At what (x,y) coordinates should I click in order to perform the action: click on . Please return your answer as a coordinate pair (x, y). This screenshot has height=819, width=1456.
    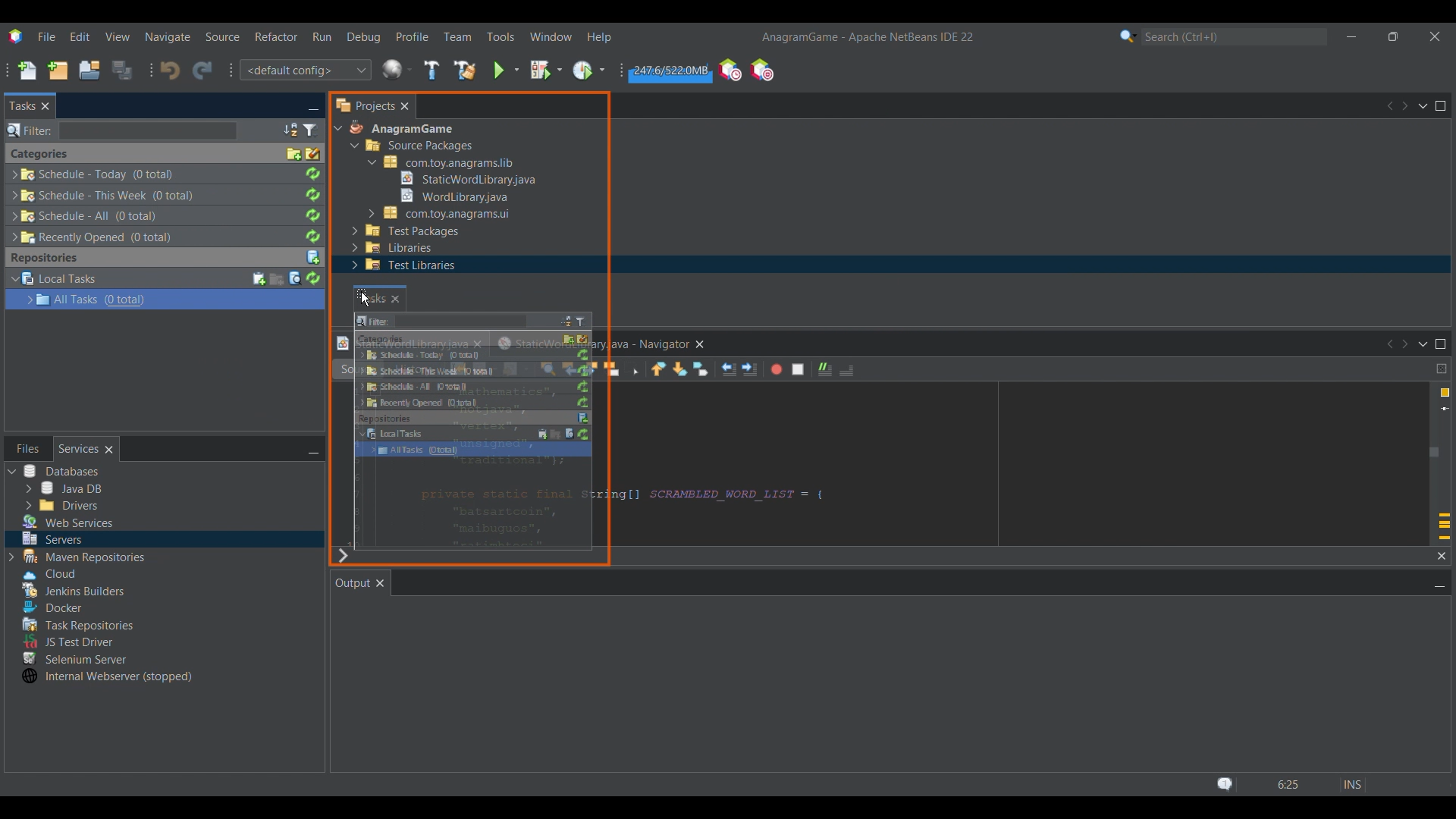
    Looking at the image, I should click on (89, 216).